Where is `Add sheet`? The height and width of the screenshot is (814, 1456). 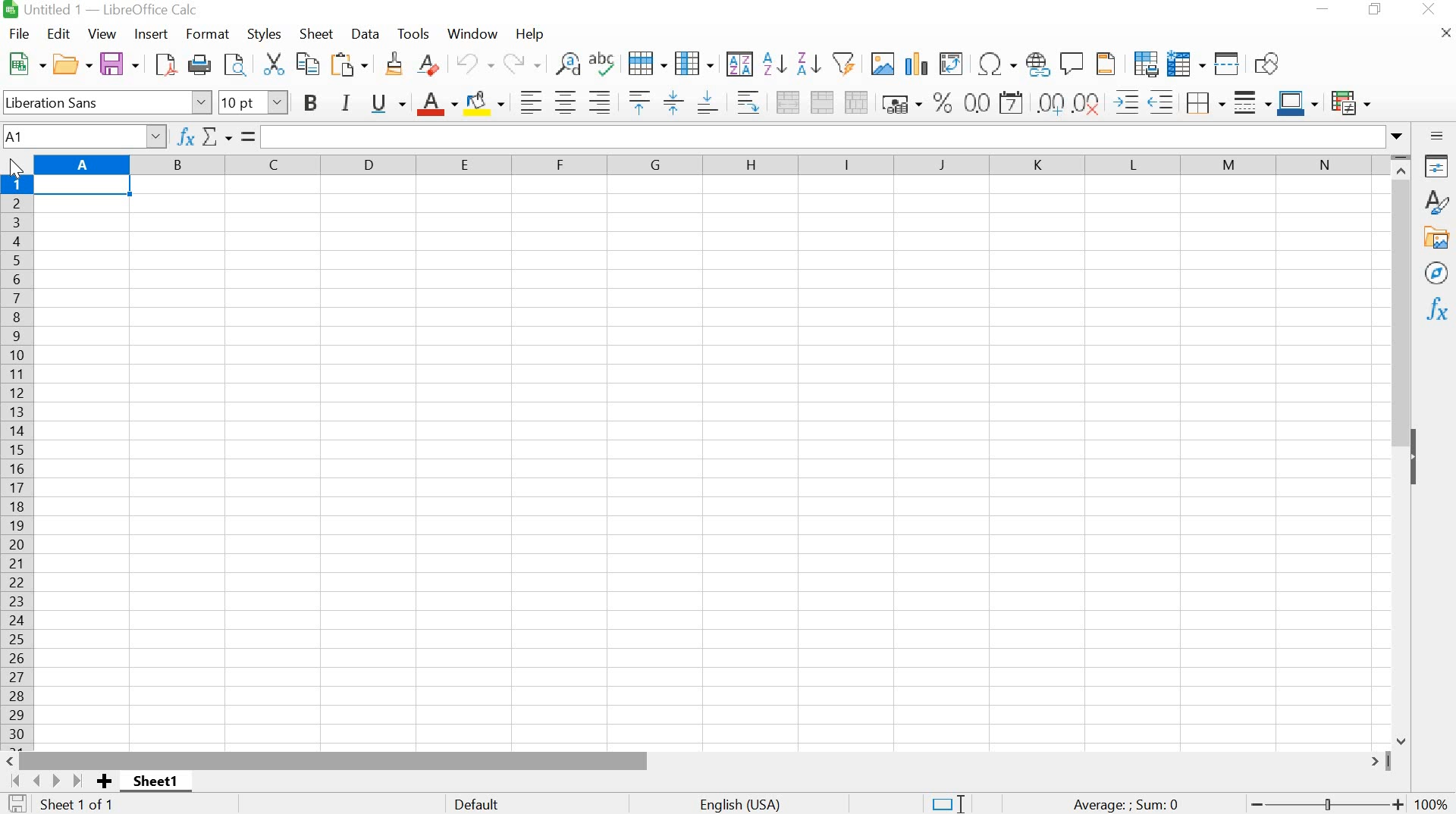
Add sheet is located at coordinates (108, 781).